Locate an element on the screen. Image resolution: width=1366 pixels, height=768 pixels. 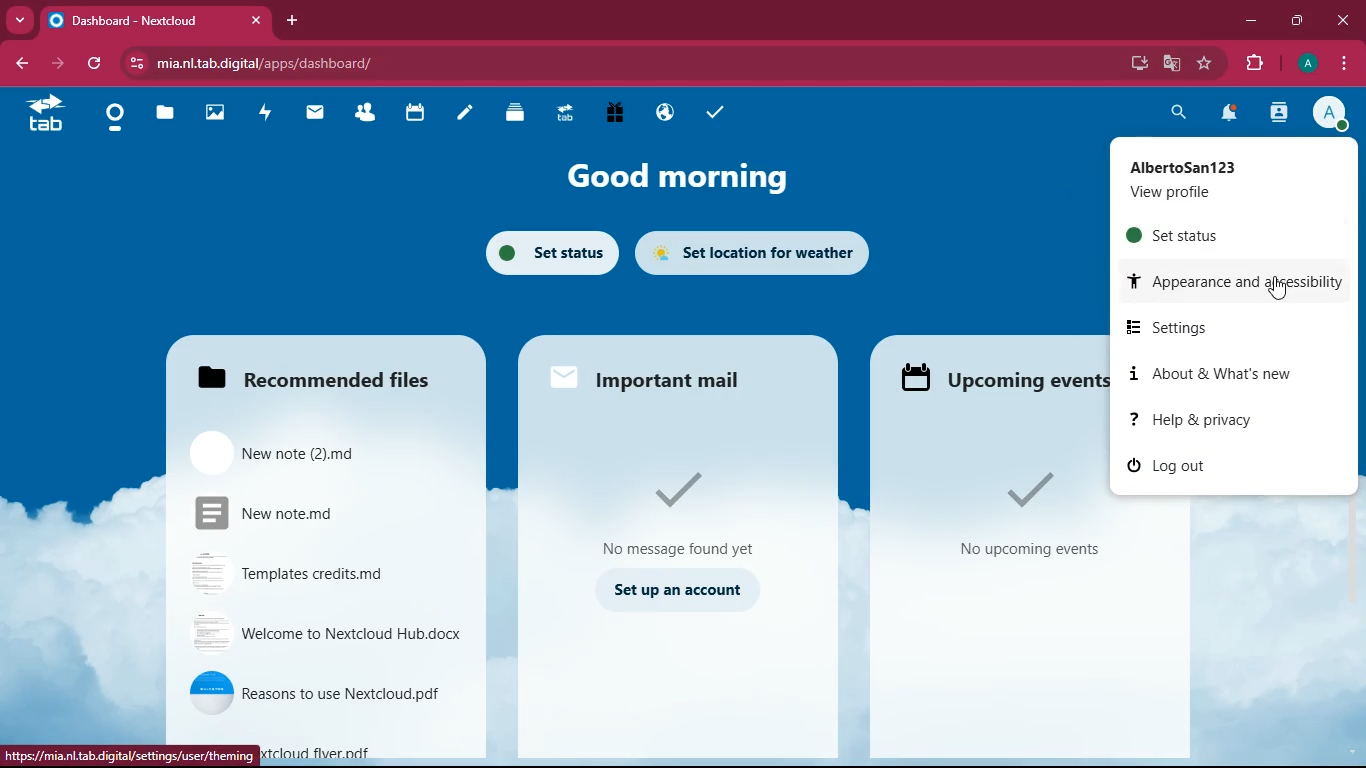
minimize is located at coordinates (1247, 23).